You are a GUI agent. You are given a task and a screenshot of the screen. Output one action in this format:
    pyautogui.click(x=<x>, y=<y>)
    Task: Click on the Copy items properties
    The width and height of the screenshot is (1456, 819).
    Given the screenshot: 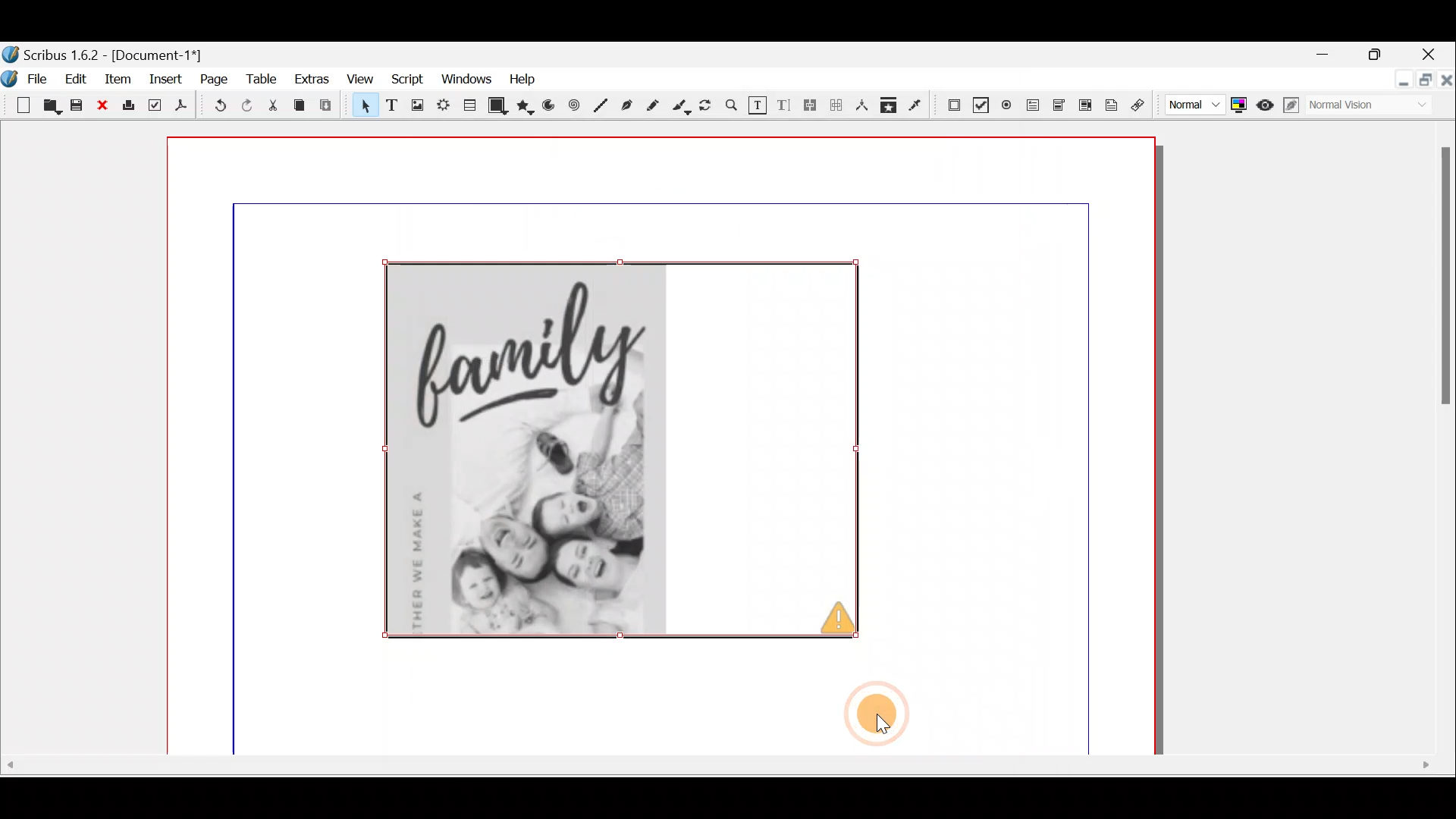 What is the action you would take?
    pyautogui.click(x=889, y=105)
    